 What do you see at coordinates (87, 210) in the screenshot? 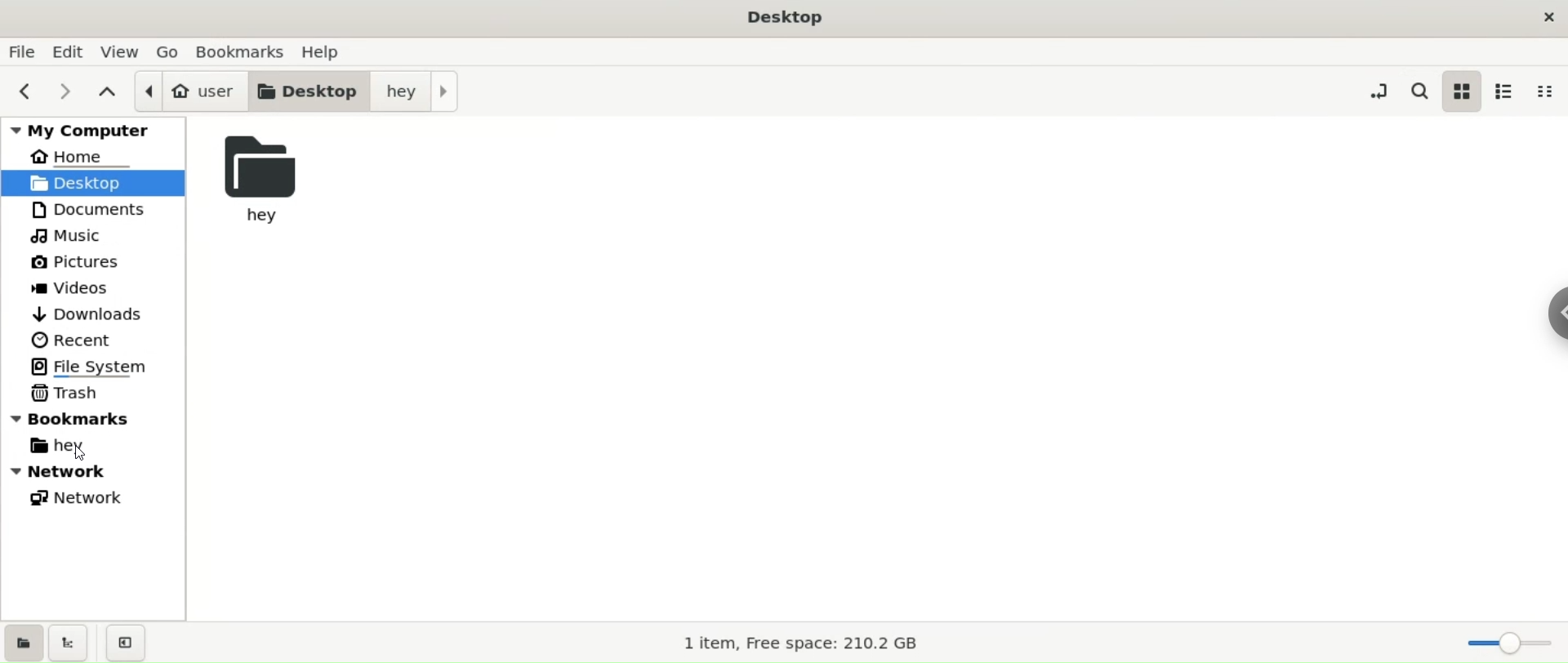
I see `documents` at bounding box center [87, 210].